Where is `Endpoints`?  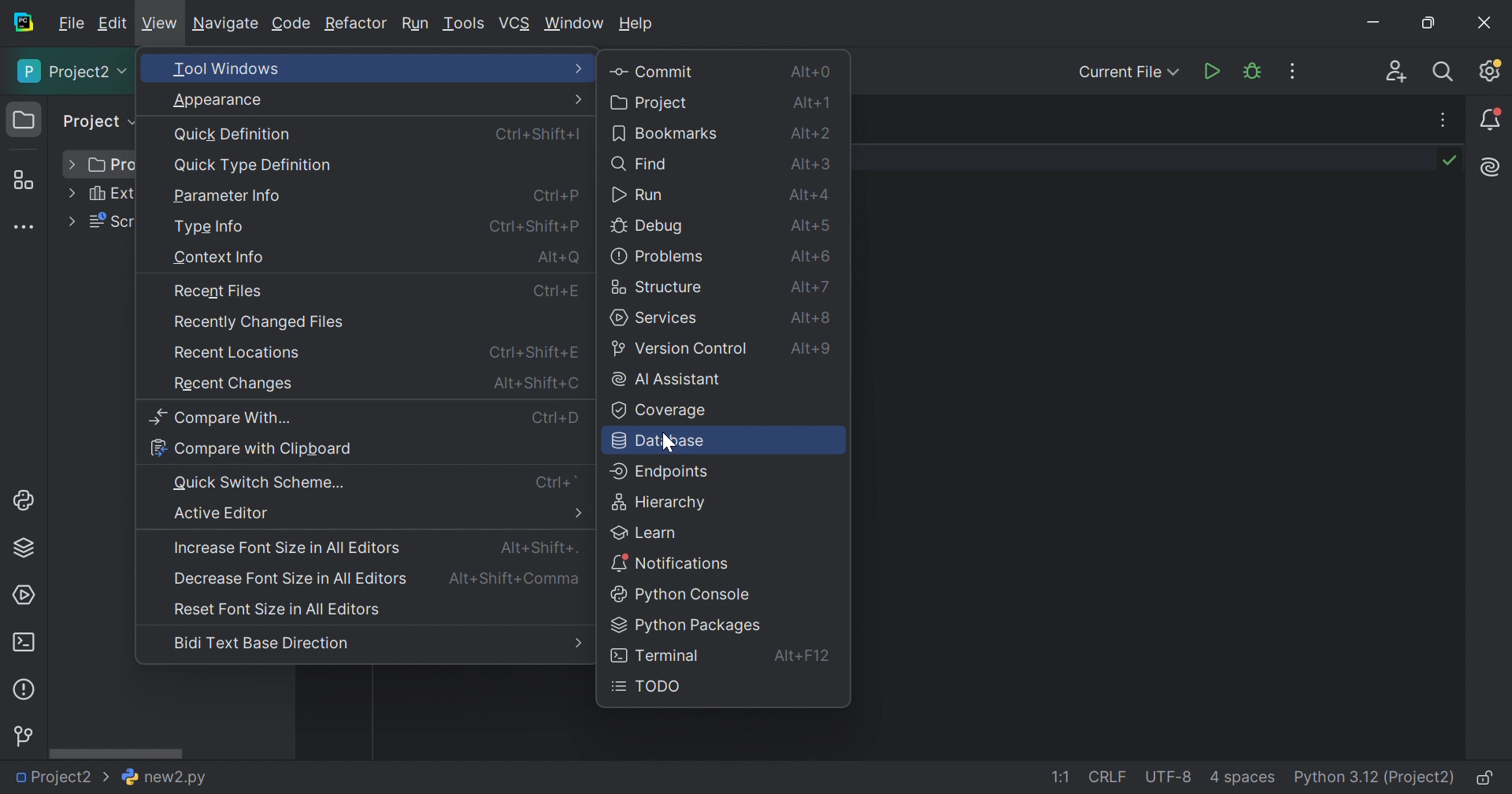 Endpoints is located at coordinates (661, 473).